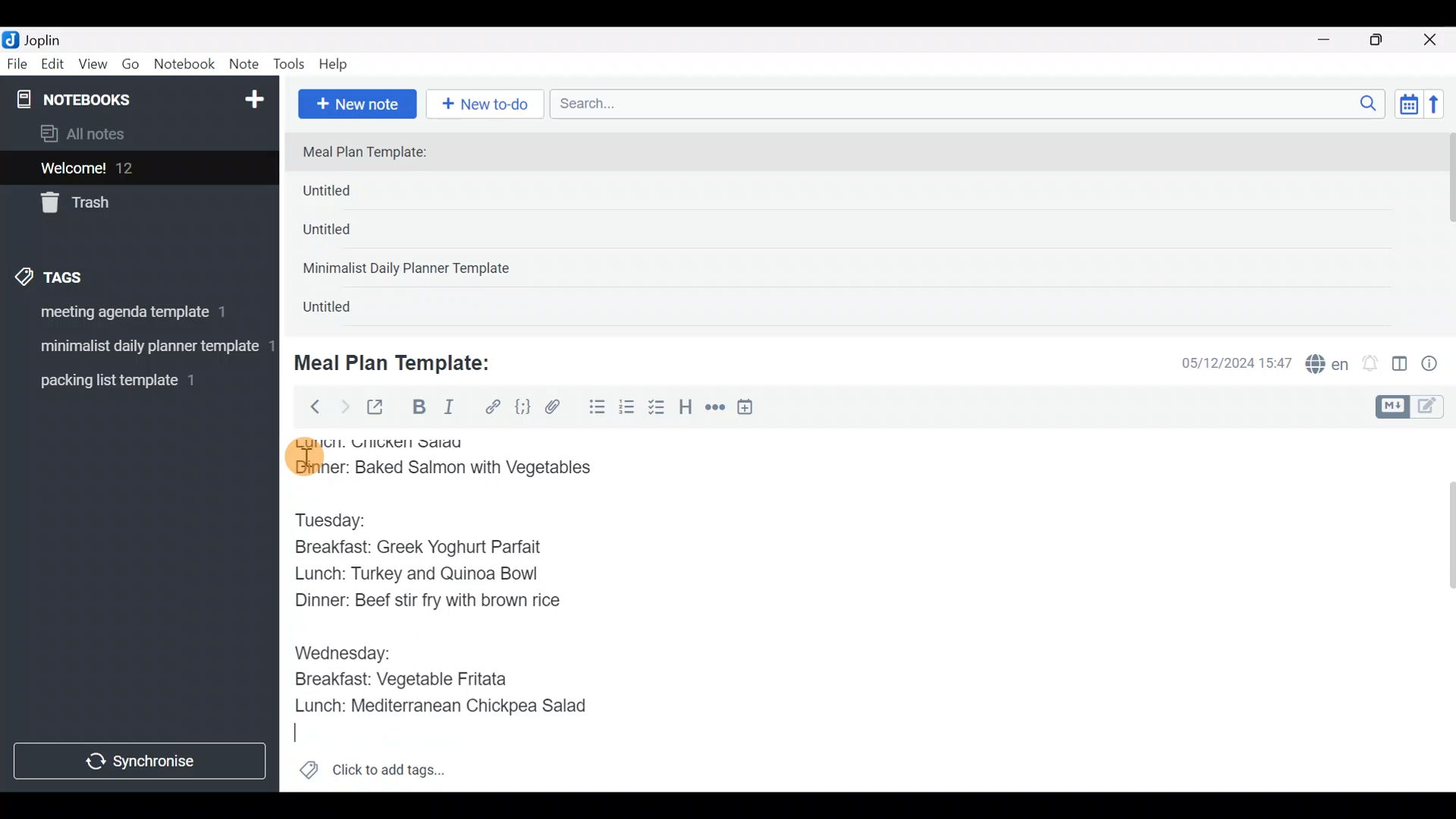 Image resolution: width=1456 pixels, height=819 pixels. Describe the element at coordinates (372, 775) in the screenshot. I see `Click to add tags` at that location.